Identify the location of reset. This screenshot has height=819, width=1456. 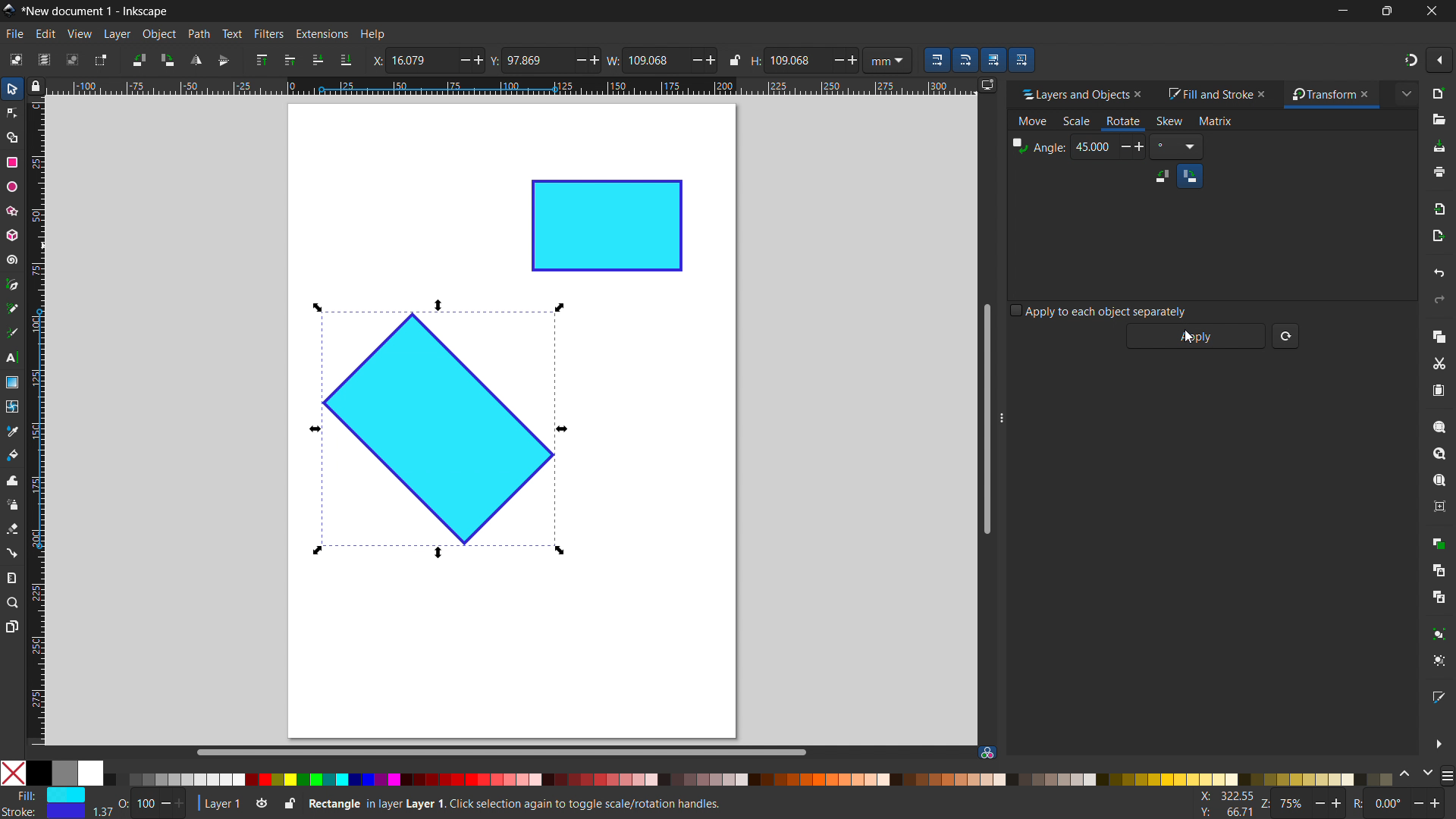
(1285, 336).